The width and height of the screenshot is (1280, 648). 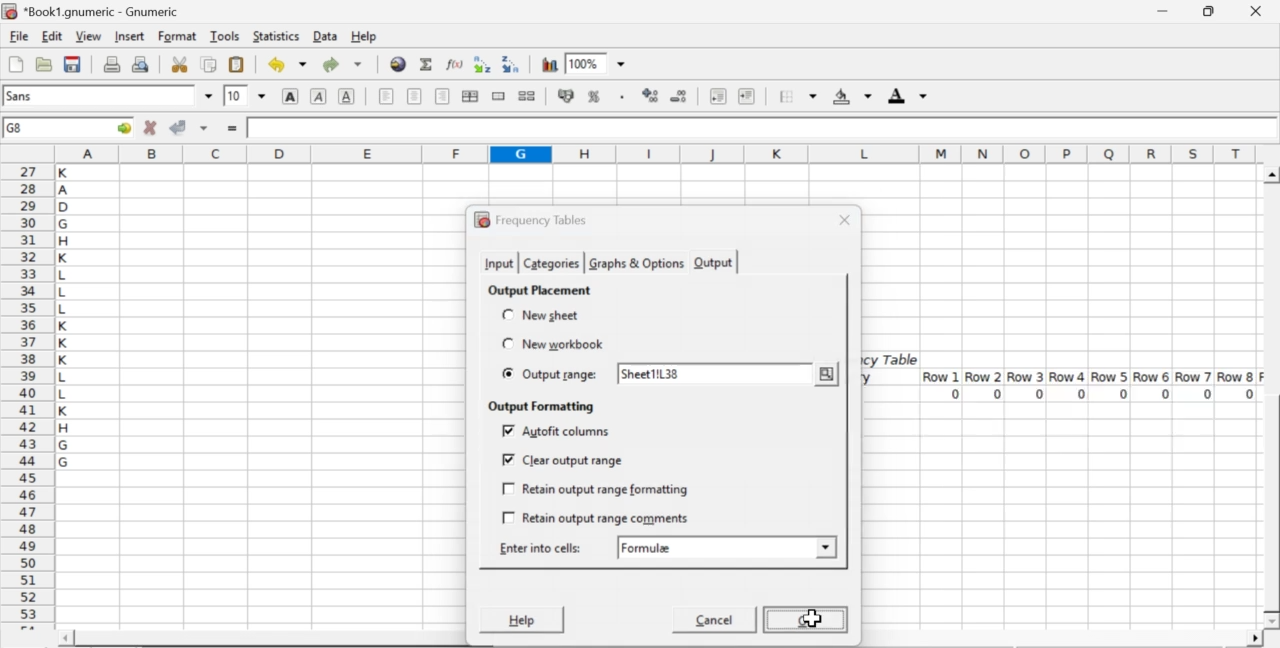 What do you see at coordinates (635, 263) in the screenshot?
I see `graphs & options` at bounding box center [635, 263].